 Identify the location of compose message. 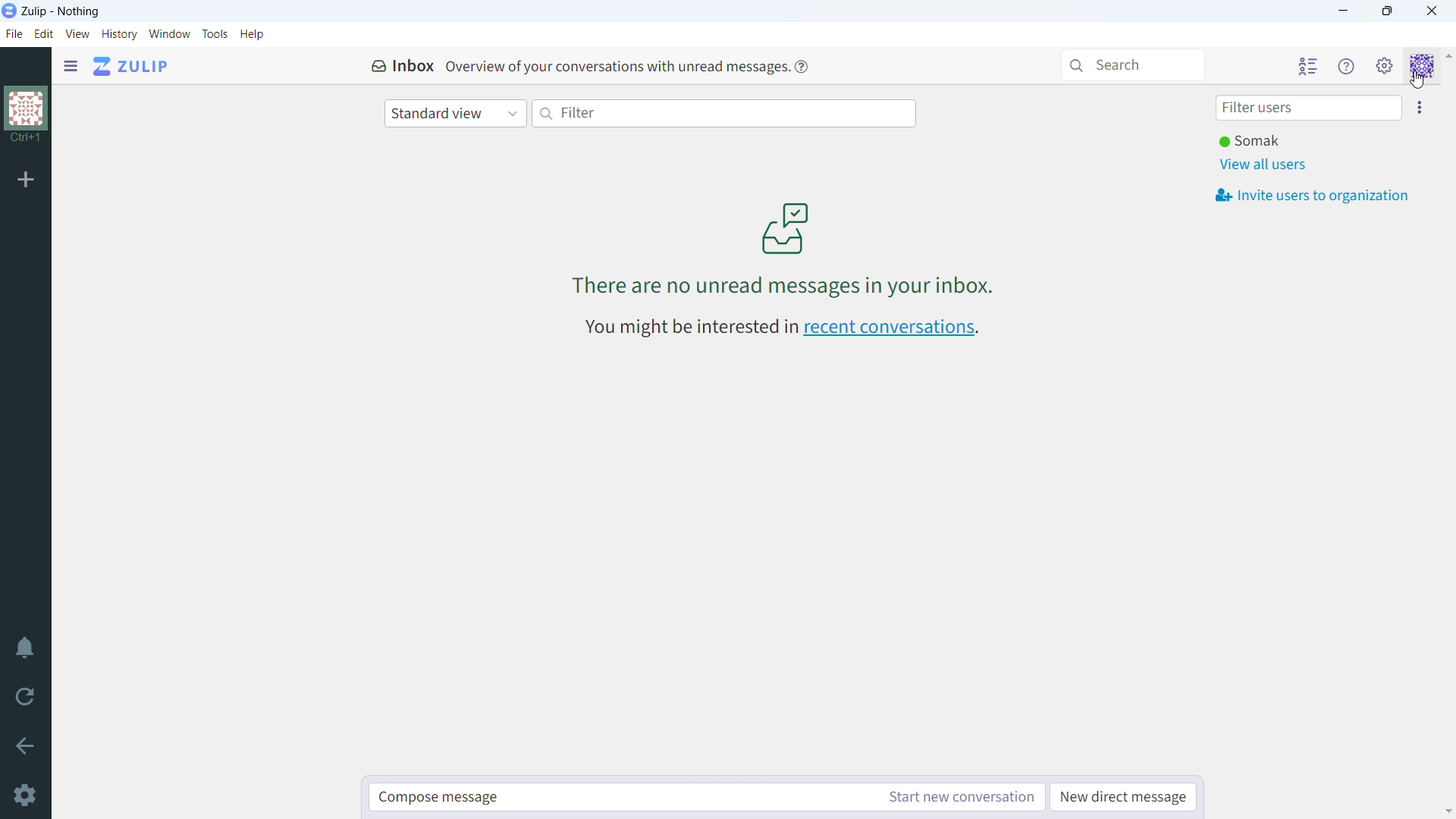
(620, 797).